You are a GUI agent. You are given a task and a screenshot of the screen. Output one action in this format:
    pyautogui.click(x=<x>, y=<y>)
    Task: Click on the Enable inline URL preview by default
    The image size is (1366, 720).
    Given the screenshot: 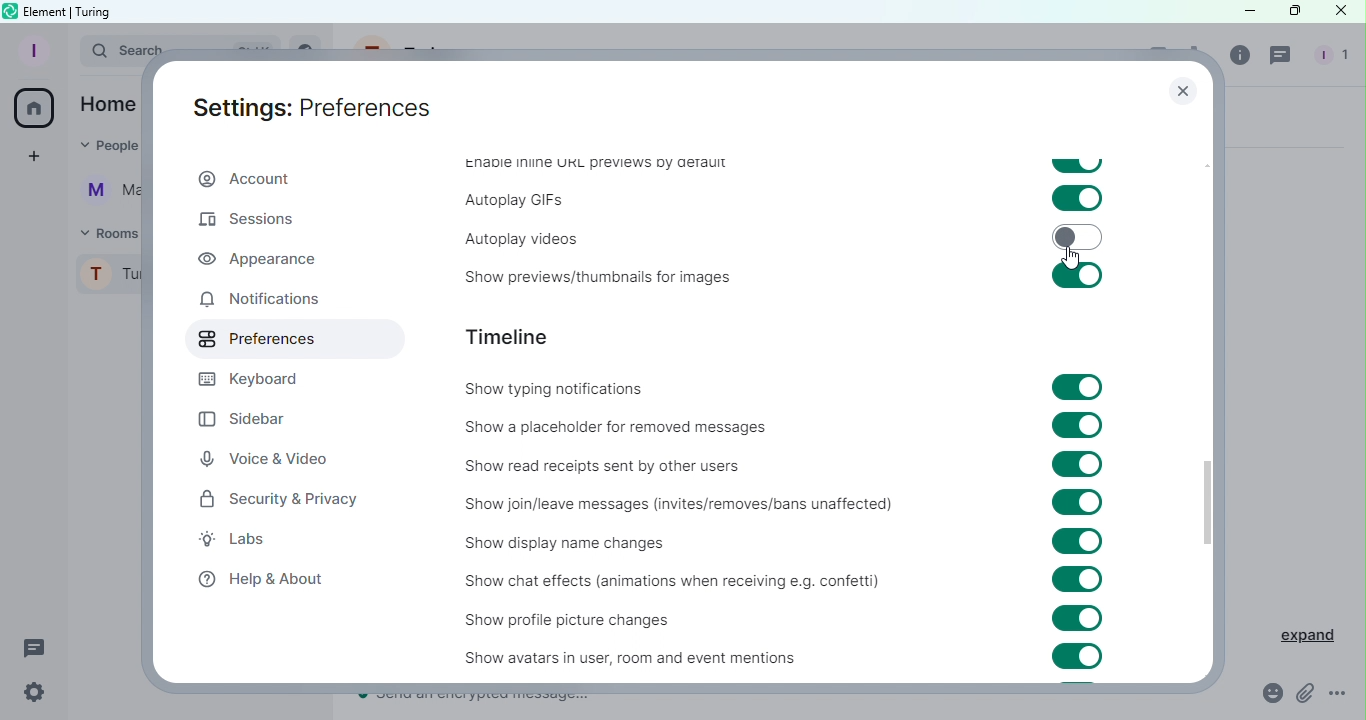 What is the action you would take?
    pyautogui.click(x=594, y=166)
    